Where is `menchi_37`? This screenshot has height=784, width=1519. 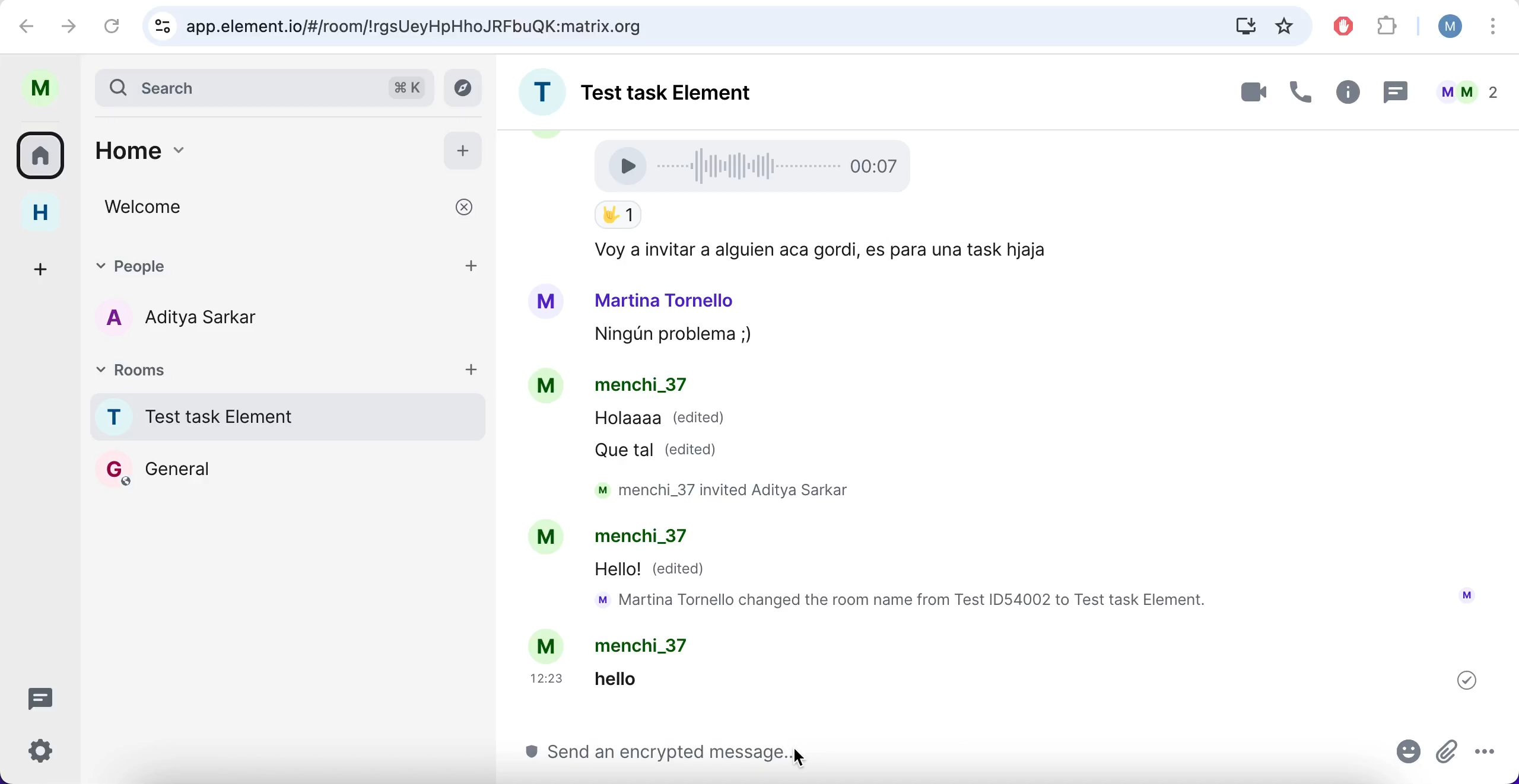
menchi_37 is located at coordinates (641, 387).